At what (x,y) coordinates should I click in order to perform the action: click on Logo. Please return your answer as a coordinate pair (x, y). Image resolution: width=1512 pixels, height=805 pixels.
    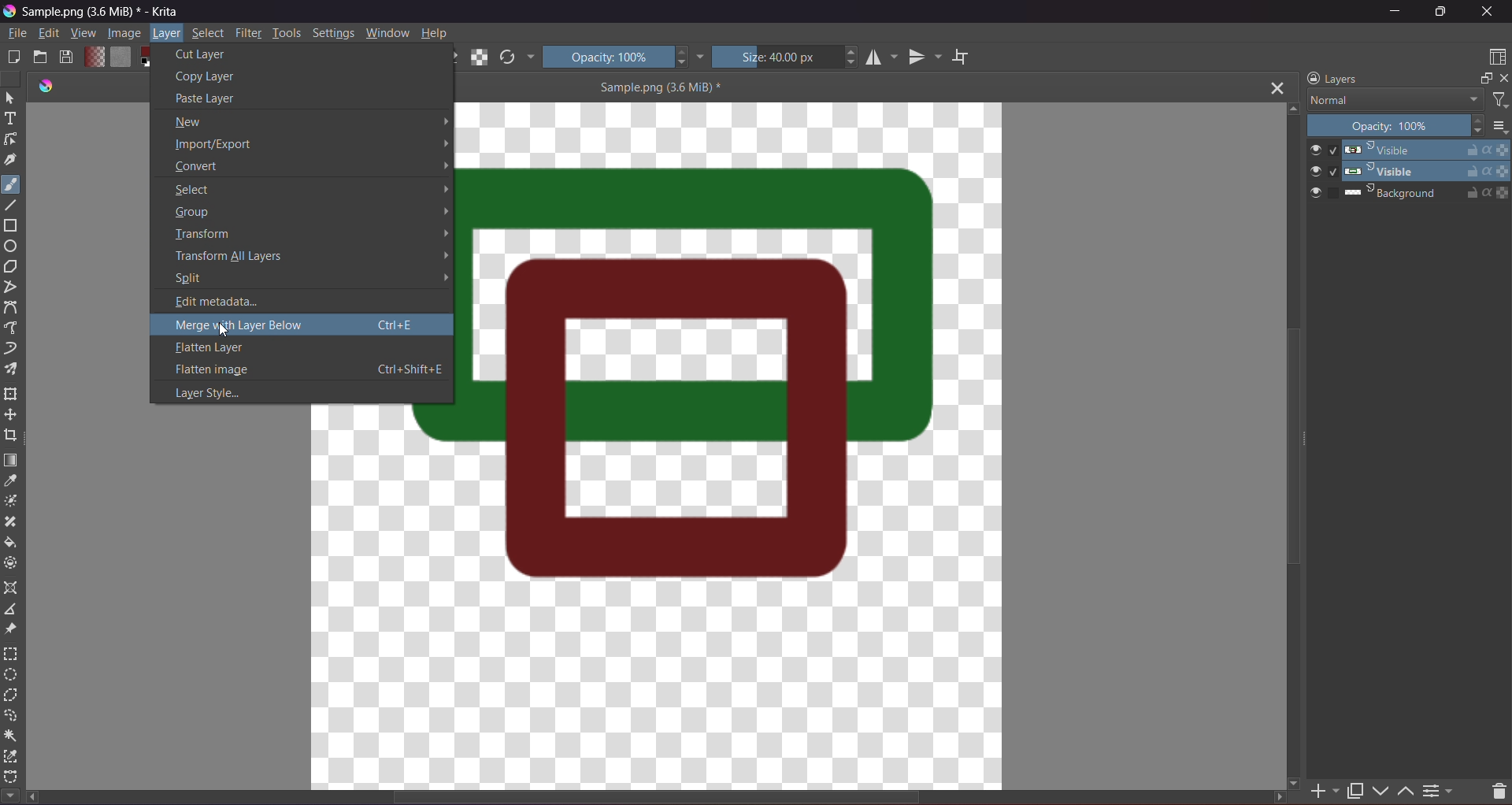
    Looking at the image, I should click on (43, 86).